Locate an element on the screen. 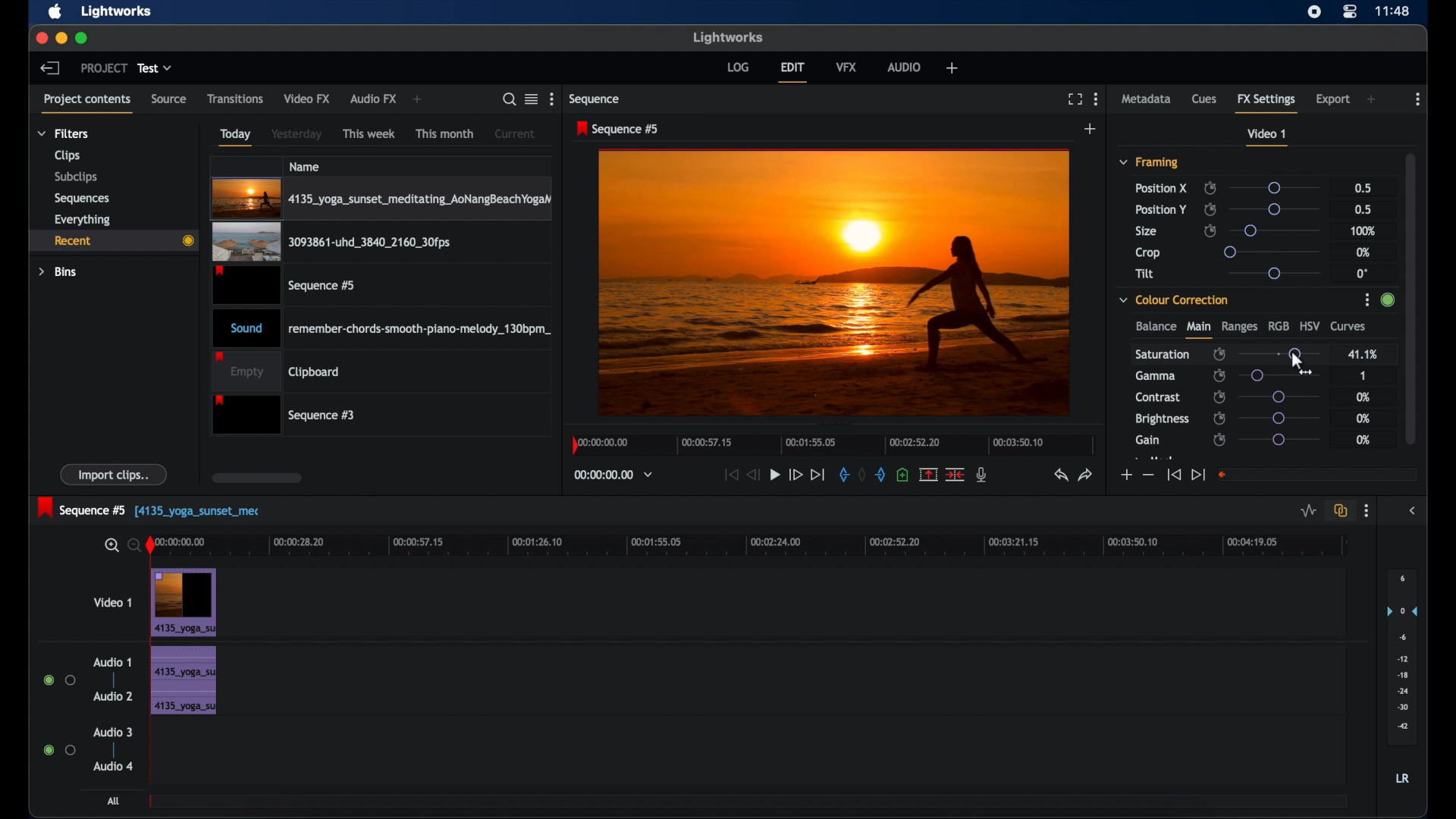 The image size is (1456, 819). metadata is located at coordinates (1147, 99).